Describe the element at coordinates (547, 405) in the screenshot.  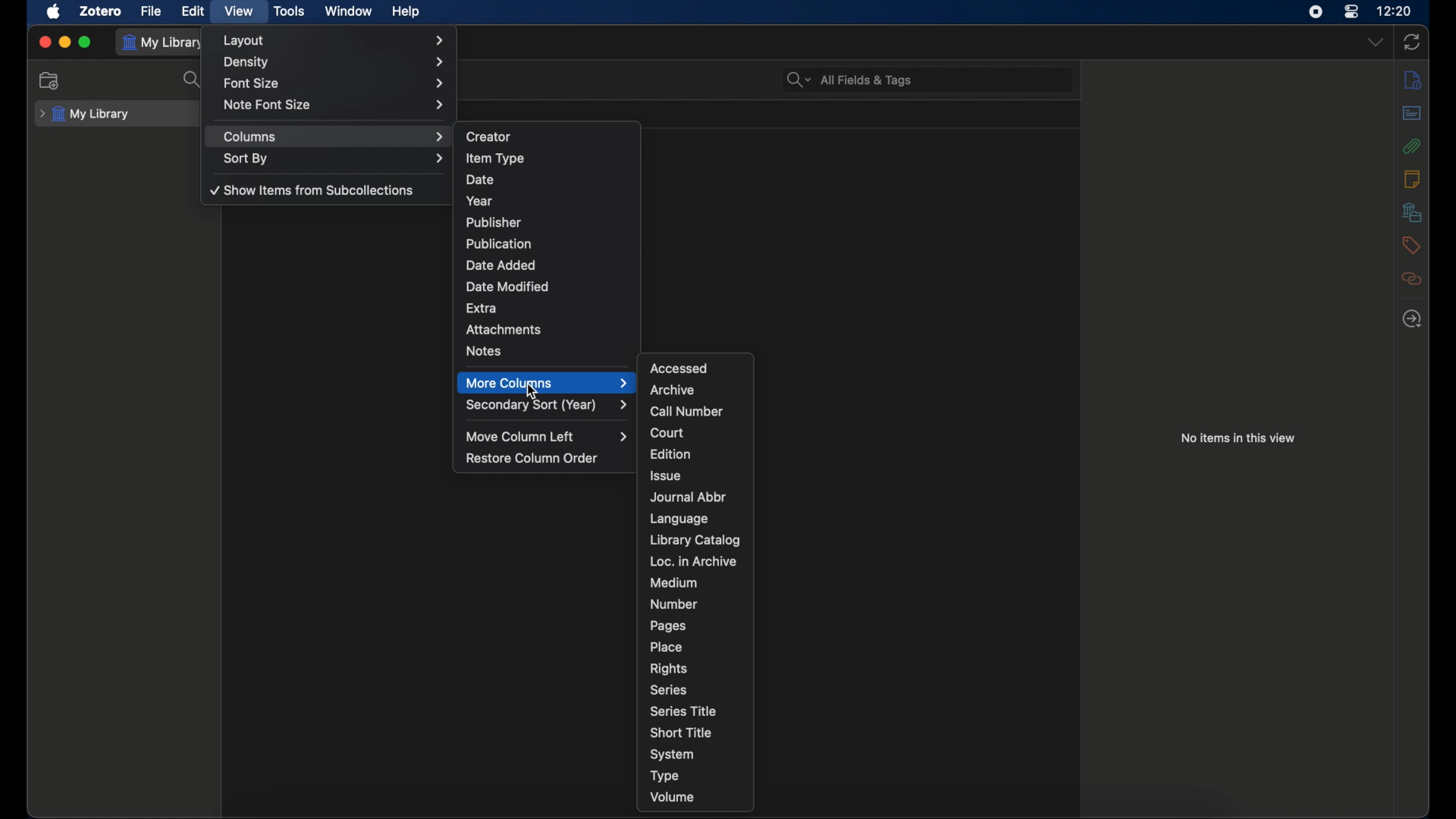
I see `secondary sort` at that location.